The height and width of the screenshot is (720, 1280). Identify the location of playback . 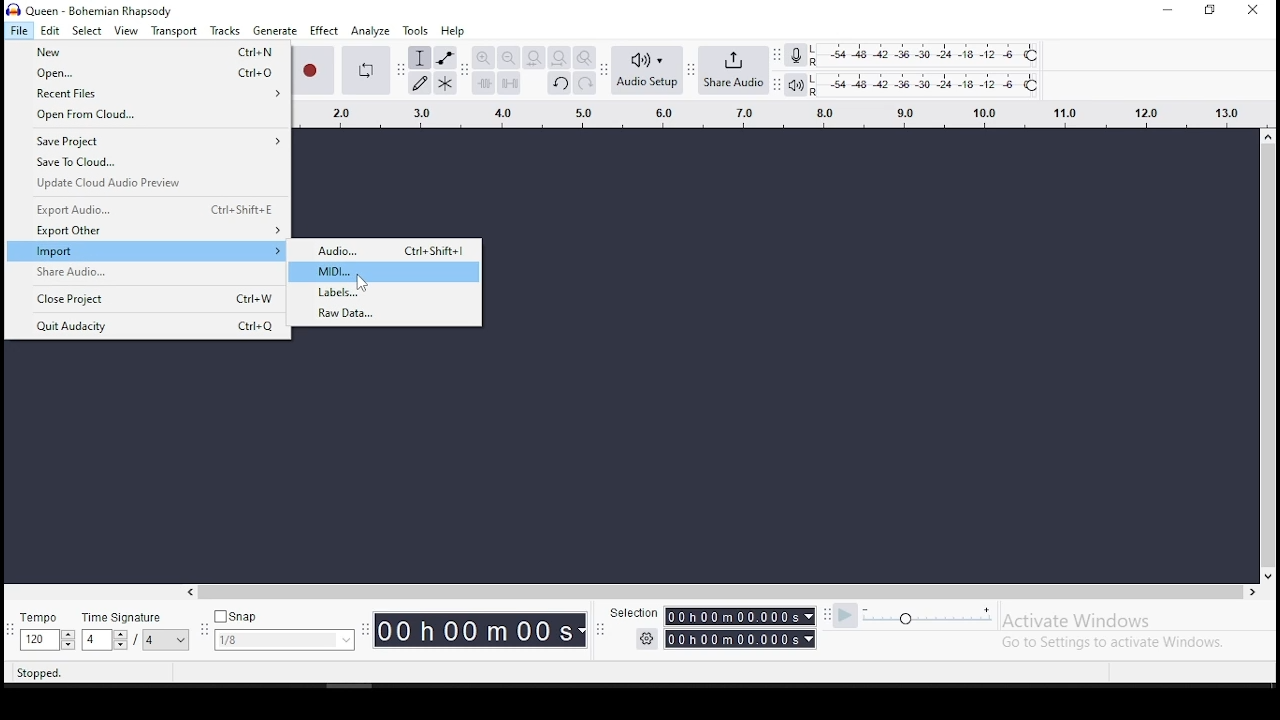
(797, 86).